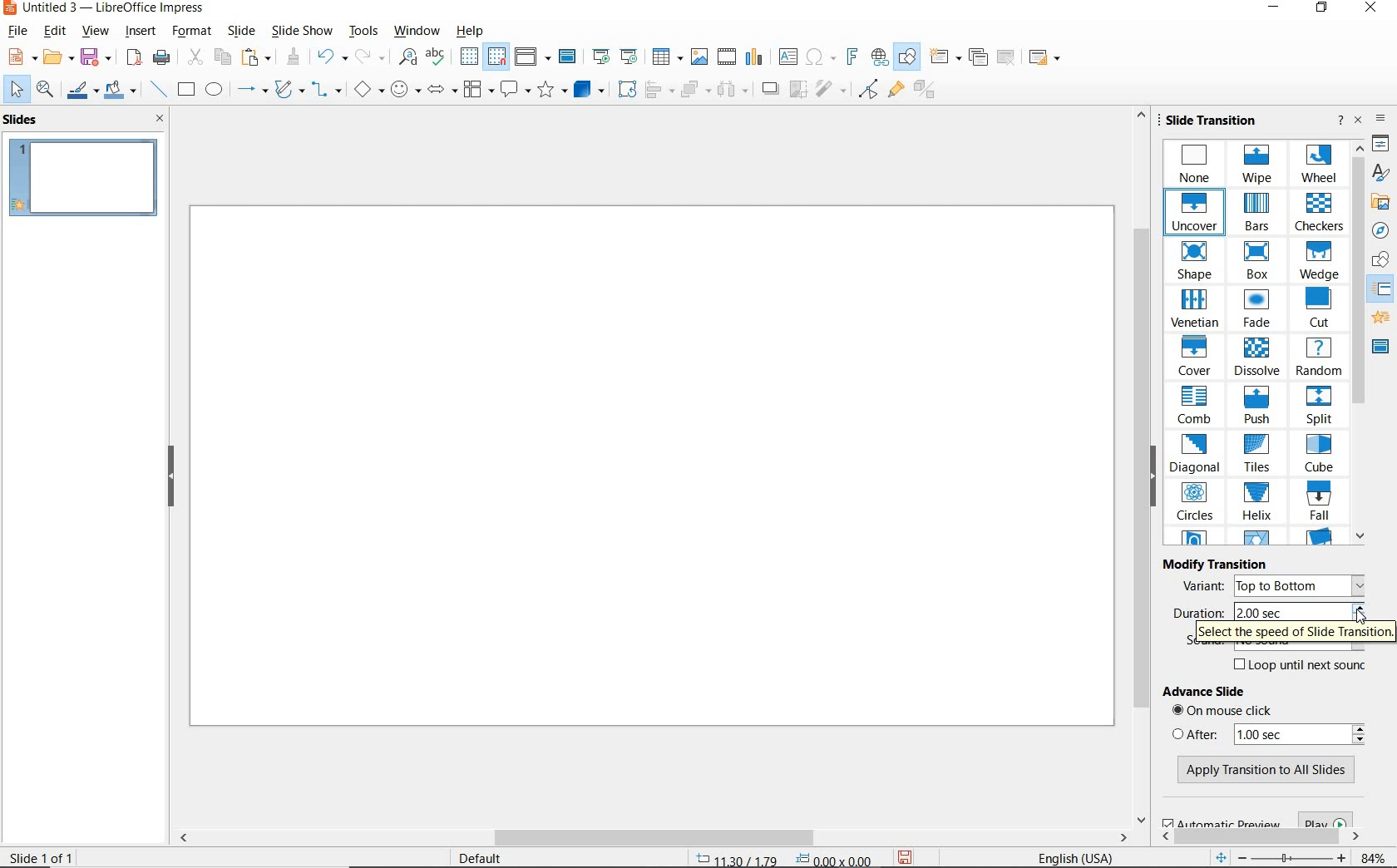 Image resolution: width=1397 pixels, height=868 pixels. Describe the element at coordinates (498, 56) in the screenshot. I see `SNAP TO GRID` at that location.